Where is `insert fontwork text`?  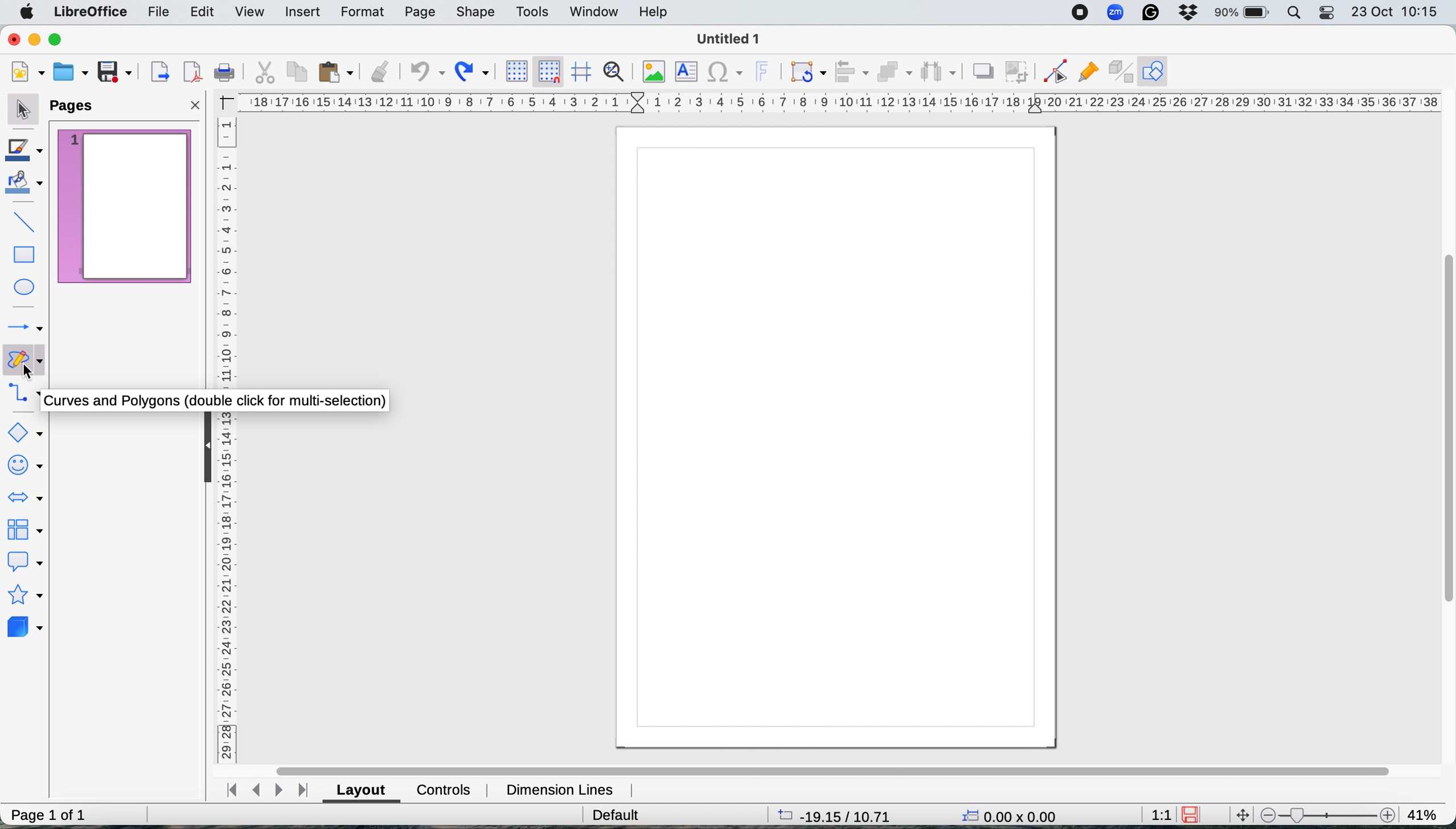 insert fontwork text is located at coordinates (766, 72).